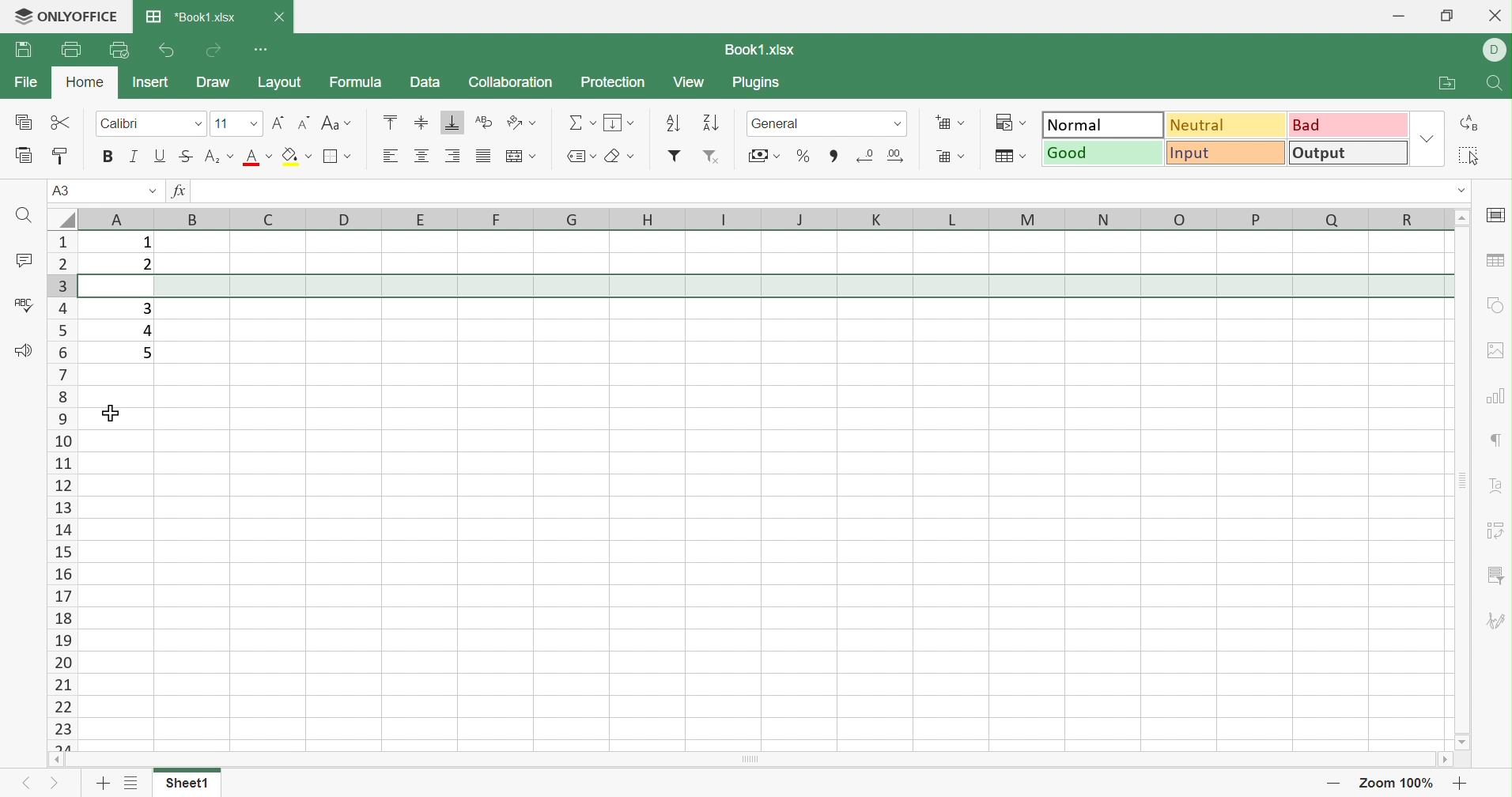  I want to click on Scroll Down, so click(1462, 743).